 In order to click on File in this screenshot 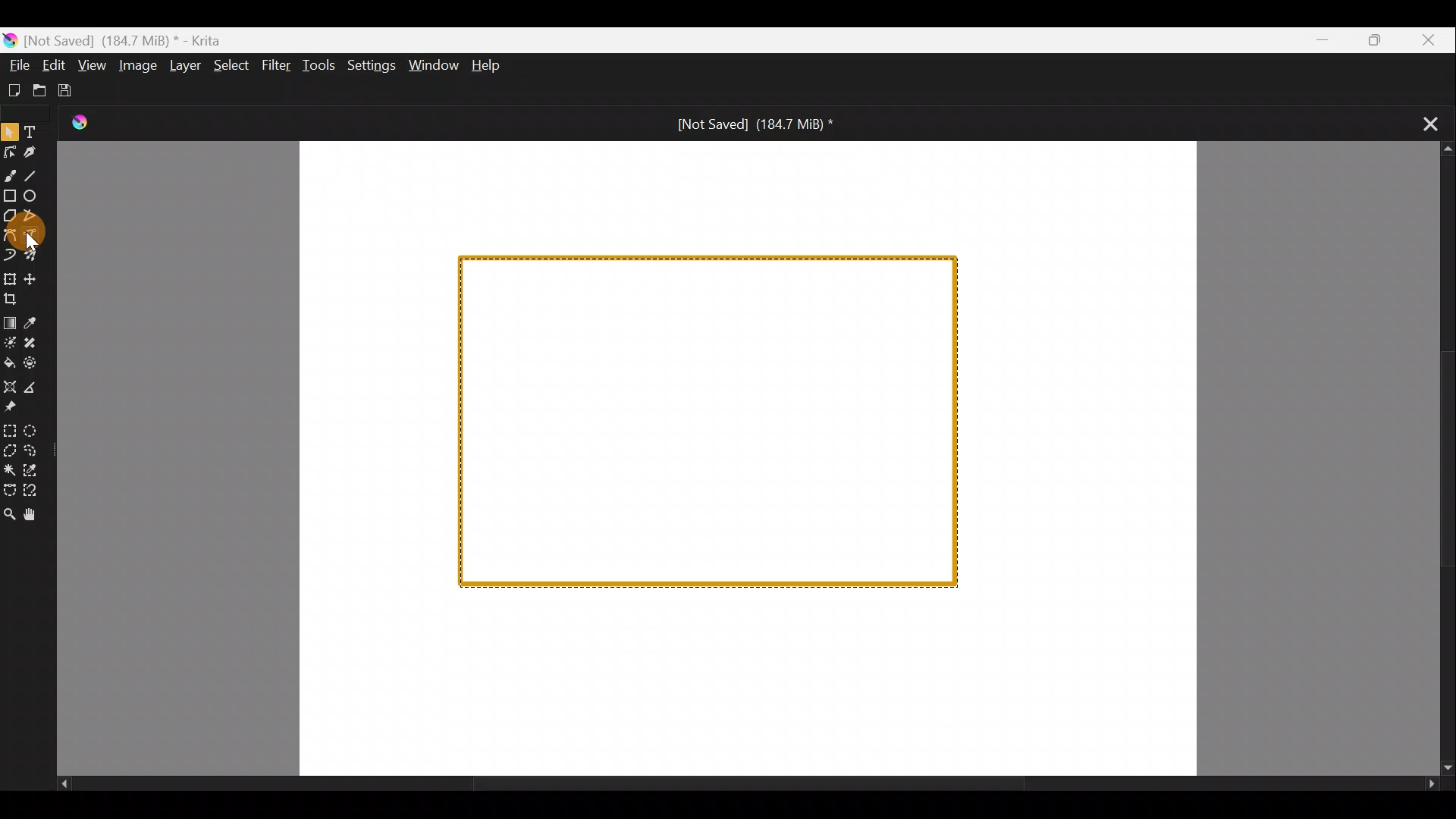, I will do `click(15, 64)`.